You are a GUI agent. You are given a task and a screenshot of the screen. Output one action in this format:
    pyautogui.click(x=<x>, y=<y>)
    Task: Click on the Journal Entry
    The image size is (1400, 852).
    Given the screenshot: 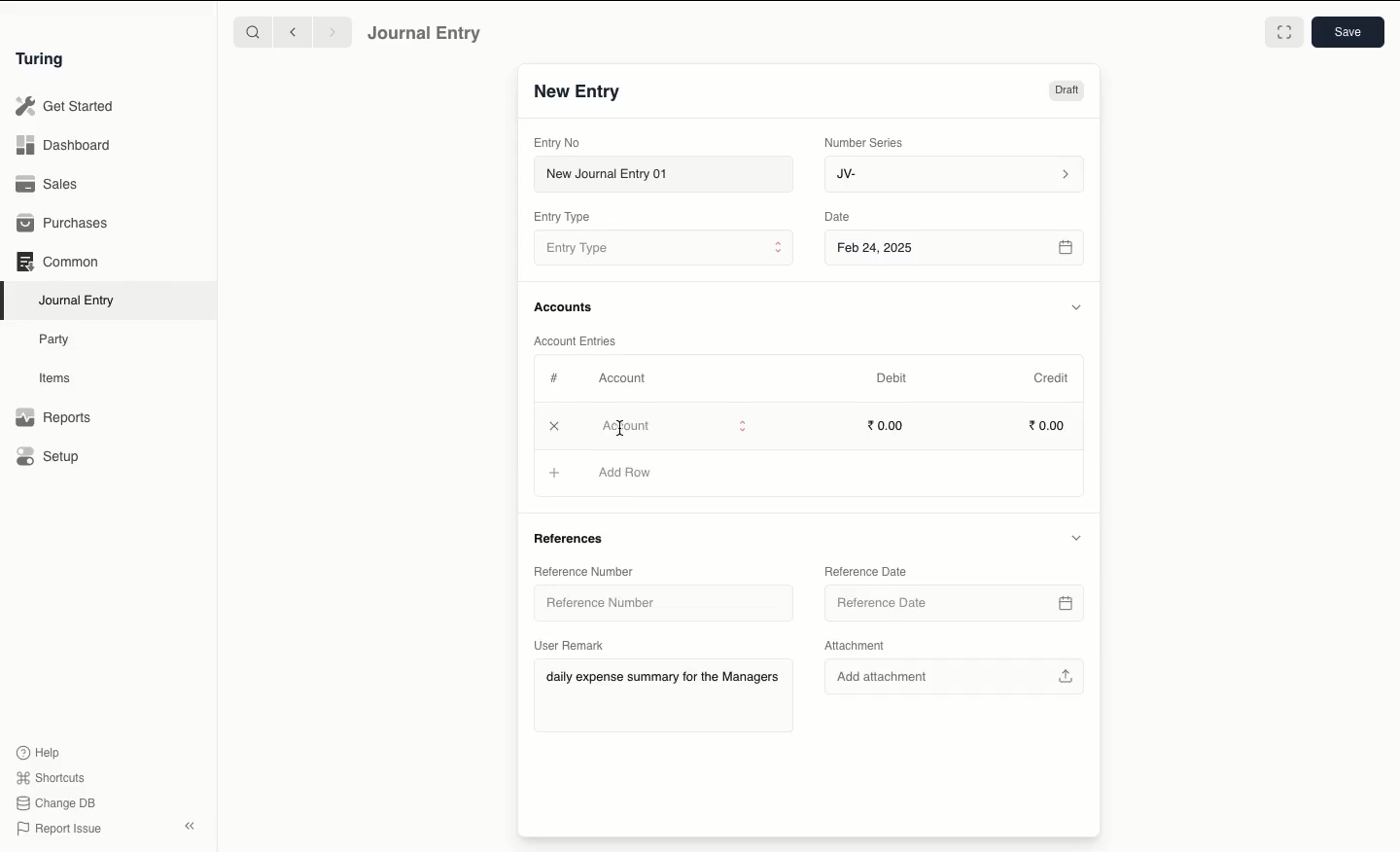 What is the action you would take?
    pyautogui.click(x=426, y=34)
    